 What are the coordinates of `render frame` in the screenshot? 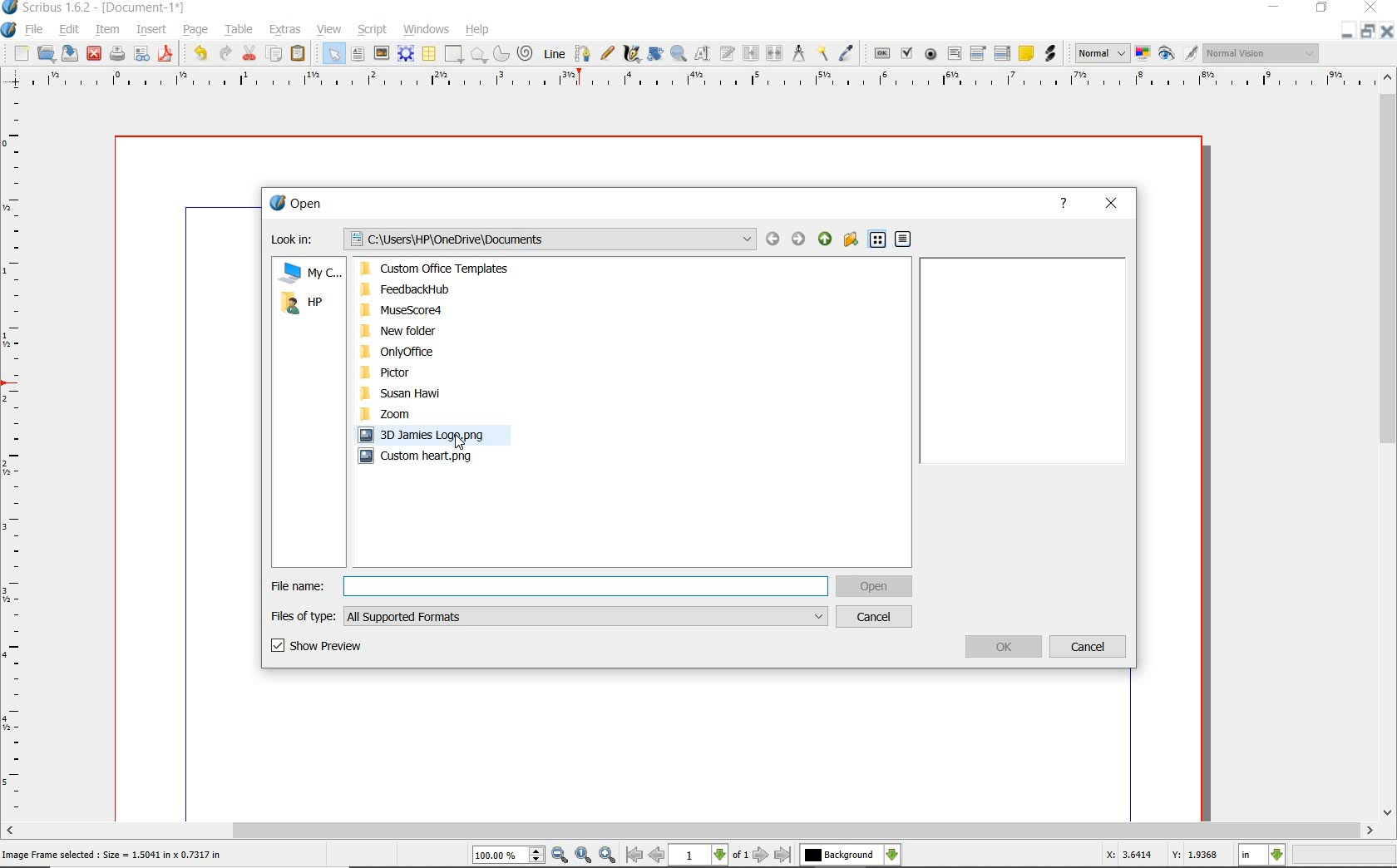 It's located at (406, 52).